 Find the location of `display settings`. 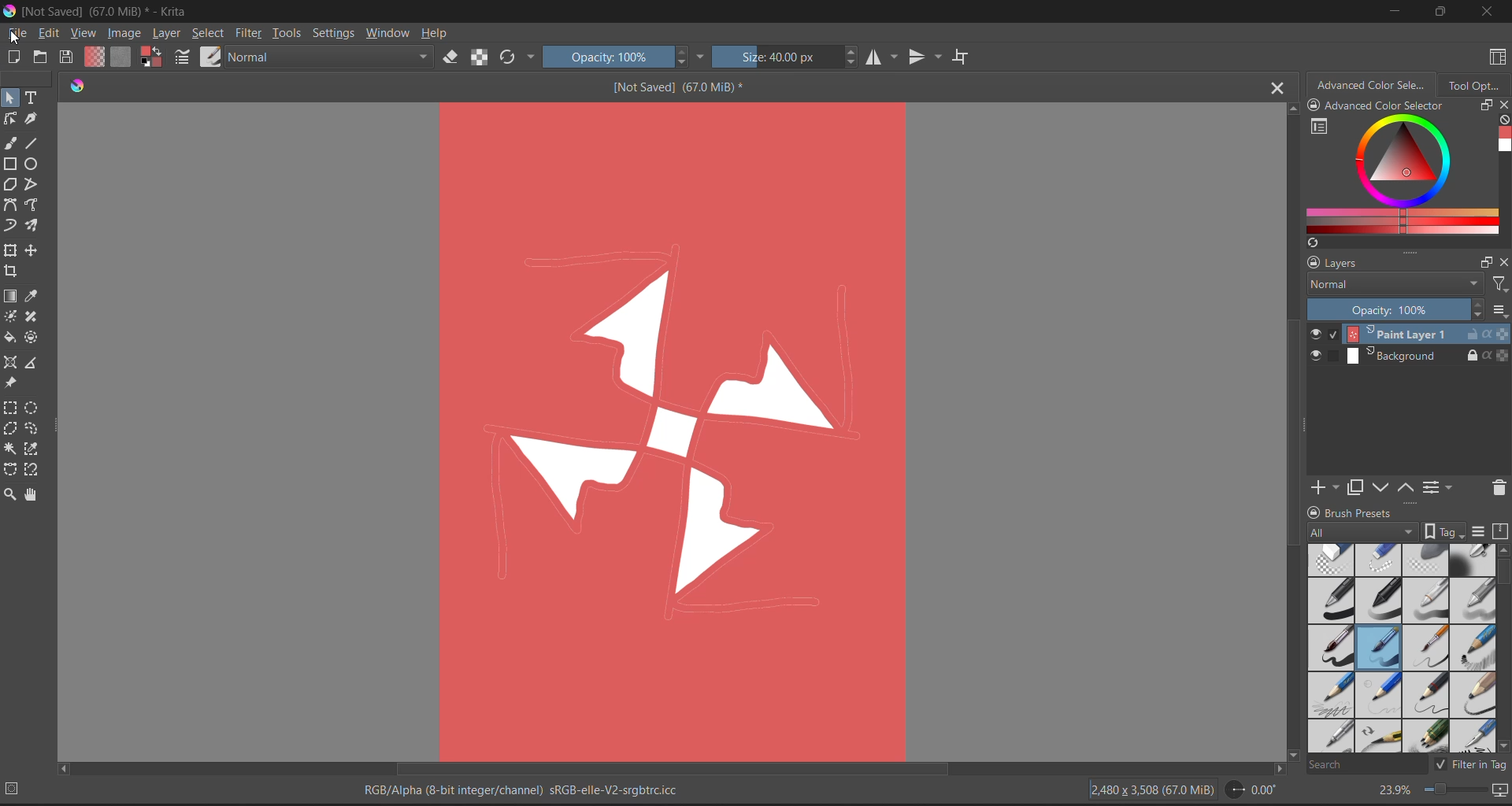

display settings is located at coordinates (1481, 532).